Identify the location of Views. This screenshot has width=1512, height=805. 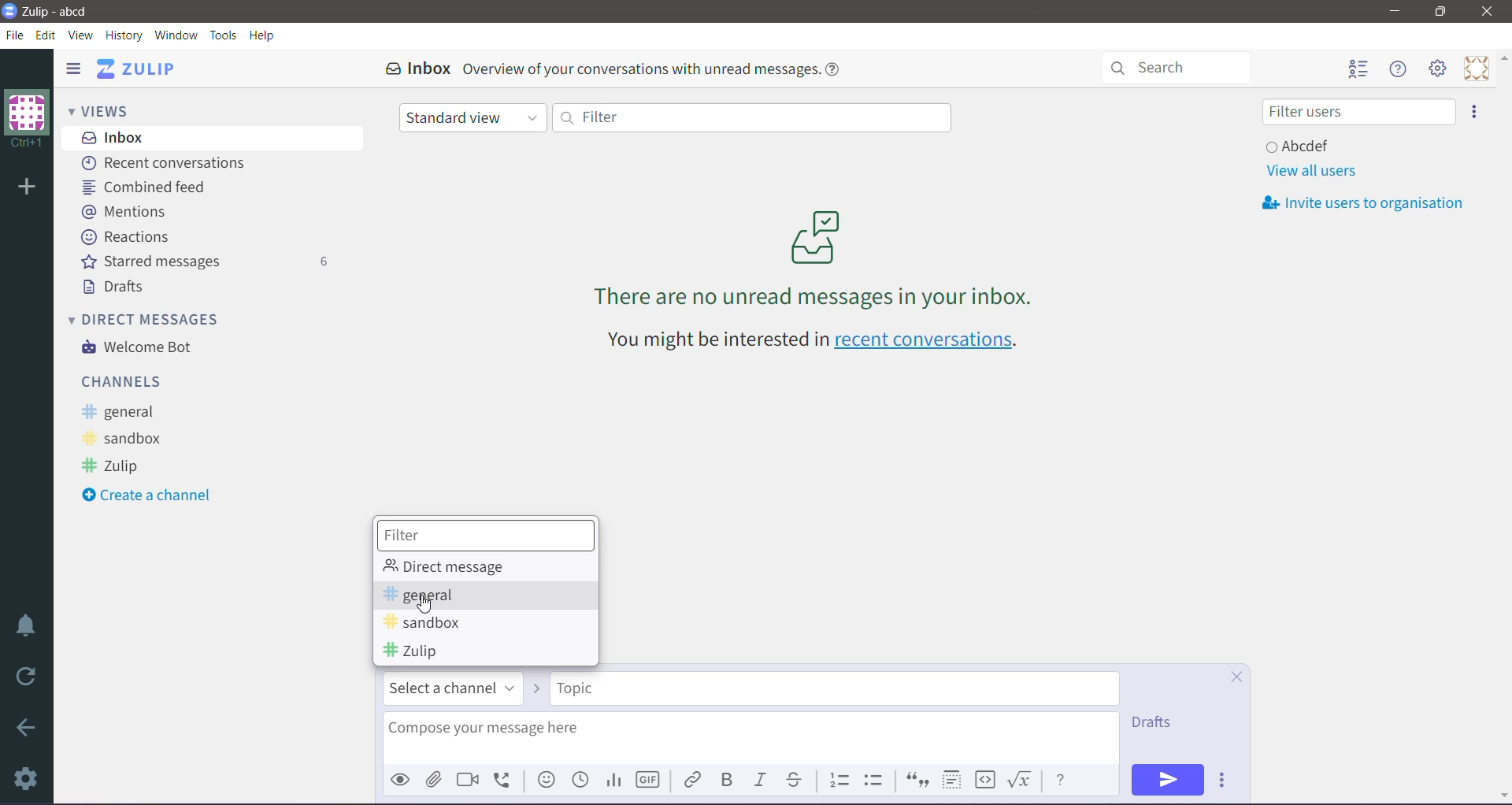
(110, 109).